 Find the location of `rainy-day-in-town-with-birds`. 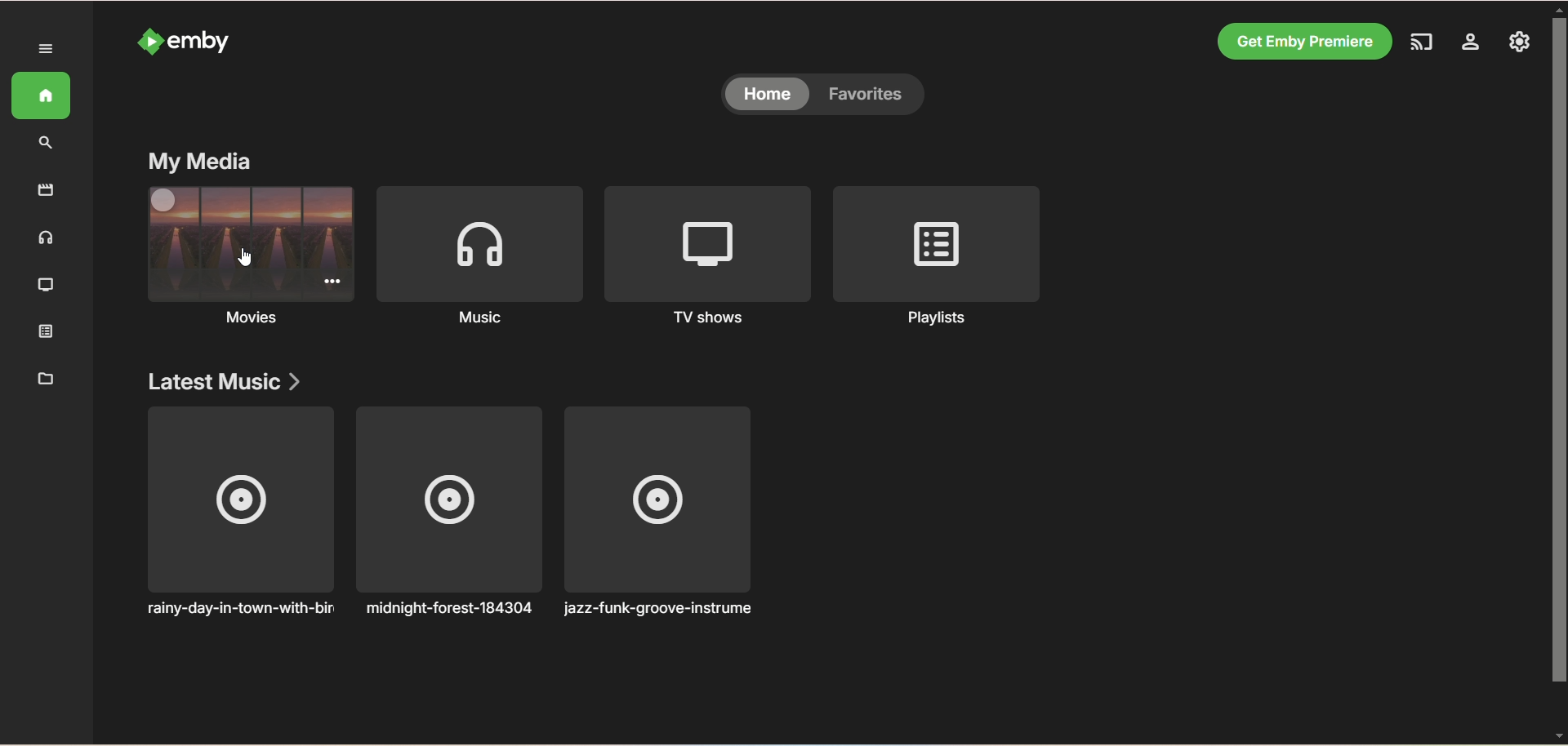

rainy-day-in-town-with-birds is located at coordinates (238, 514).